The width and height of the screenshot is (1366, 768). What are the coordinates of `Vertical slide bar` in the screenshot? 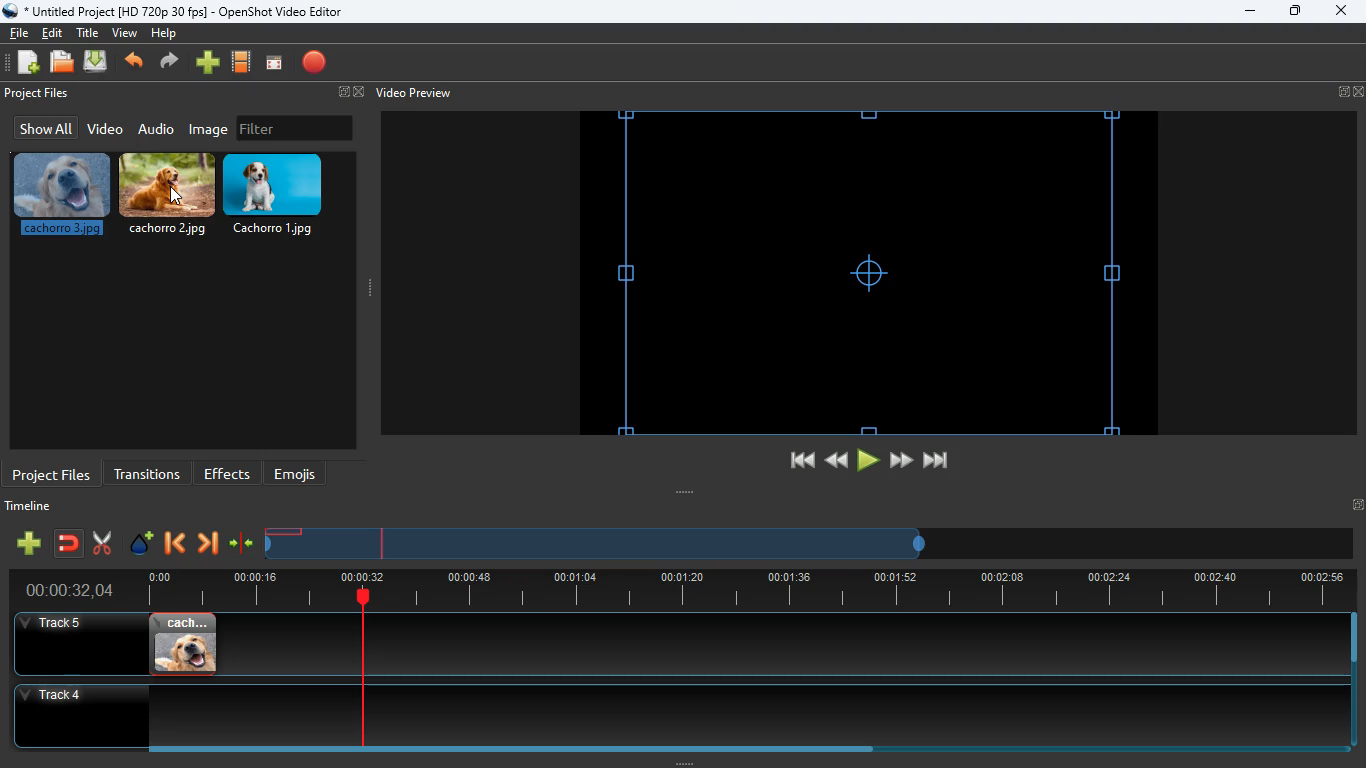 It's located at (1354, 680).